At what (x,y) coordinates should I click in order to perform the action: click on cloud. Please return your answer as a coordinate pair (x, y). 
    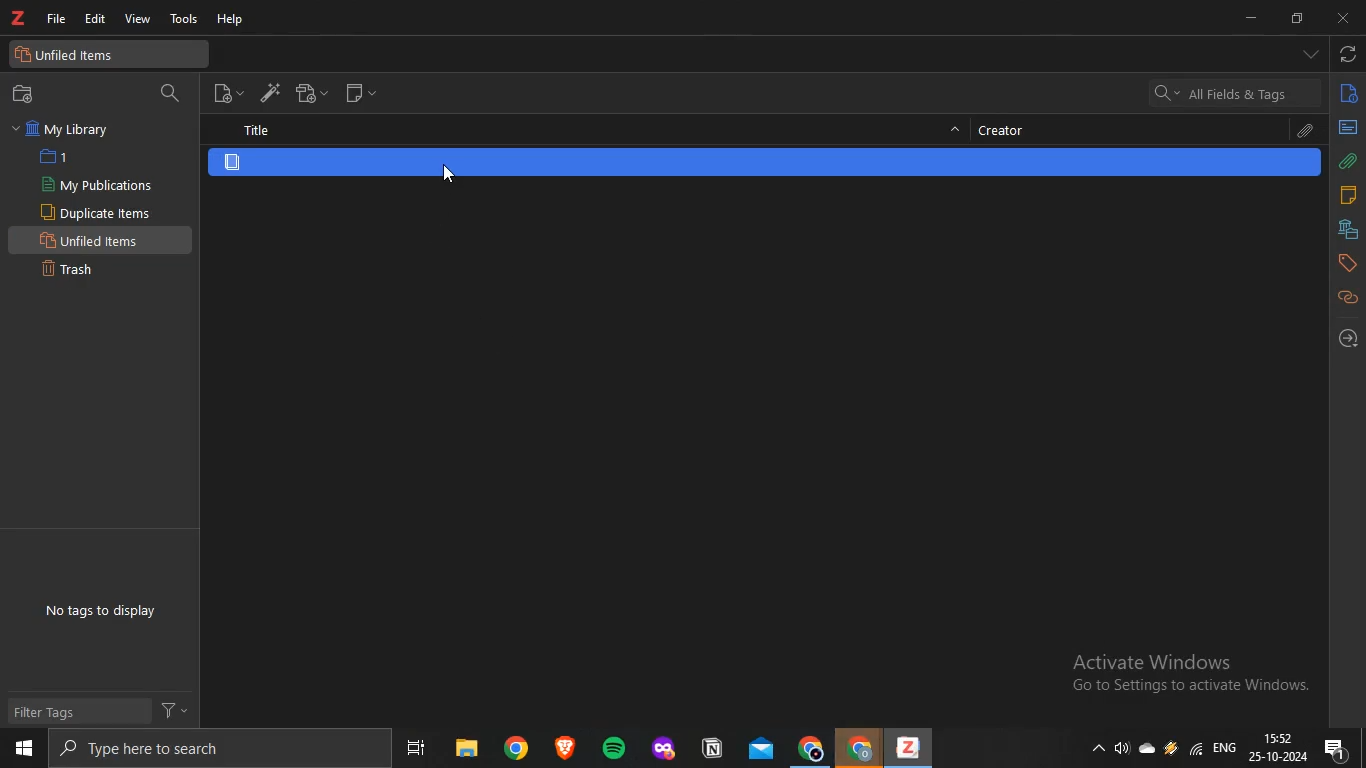
    Looking at the image, I should click on (1150, 746).